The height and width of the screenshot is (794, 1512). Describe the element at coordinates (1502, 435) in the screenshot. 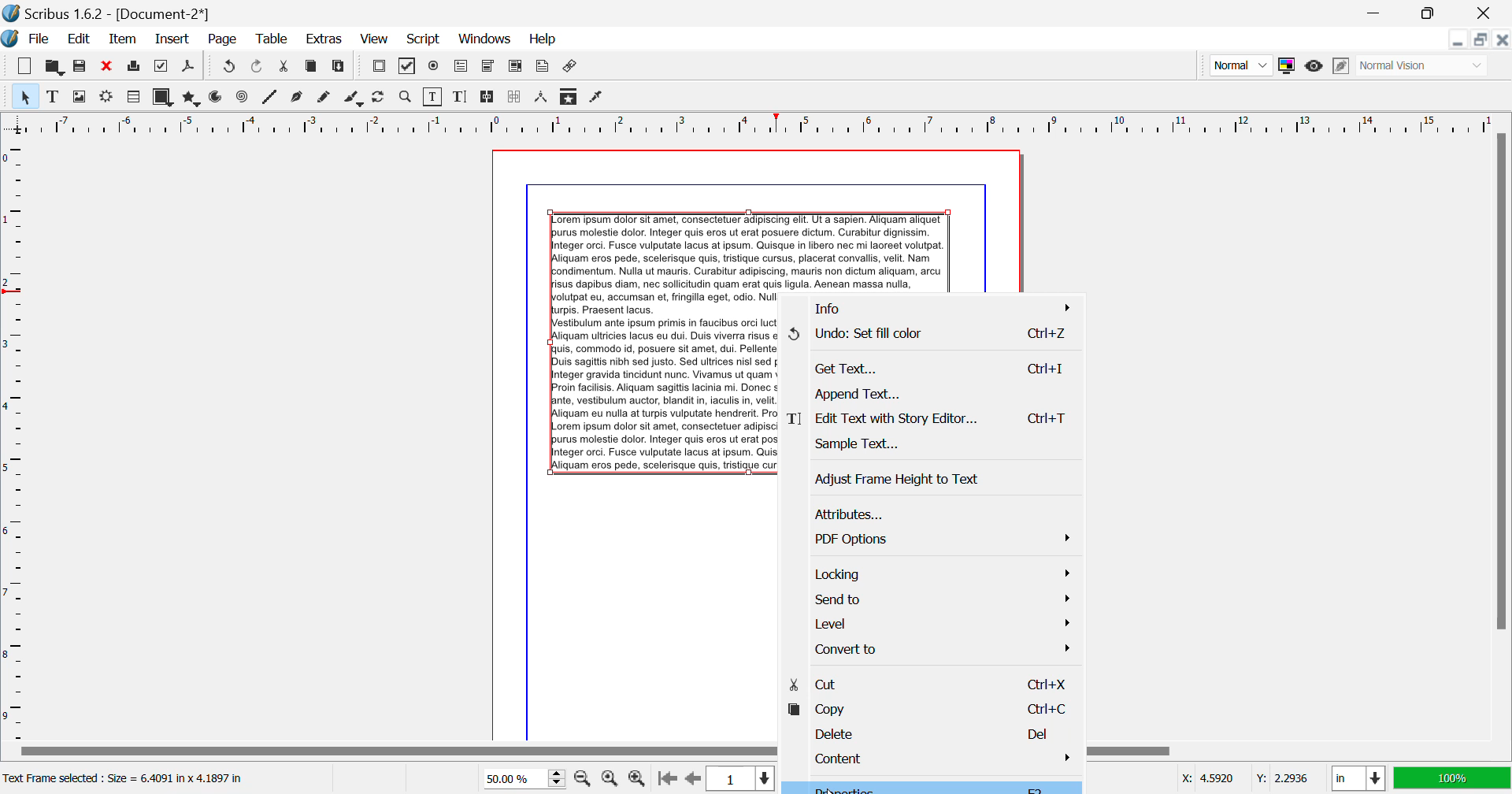

I see `Scroll Bar` at that location.